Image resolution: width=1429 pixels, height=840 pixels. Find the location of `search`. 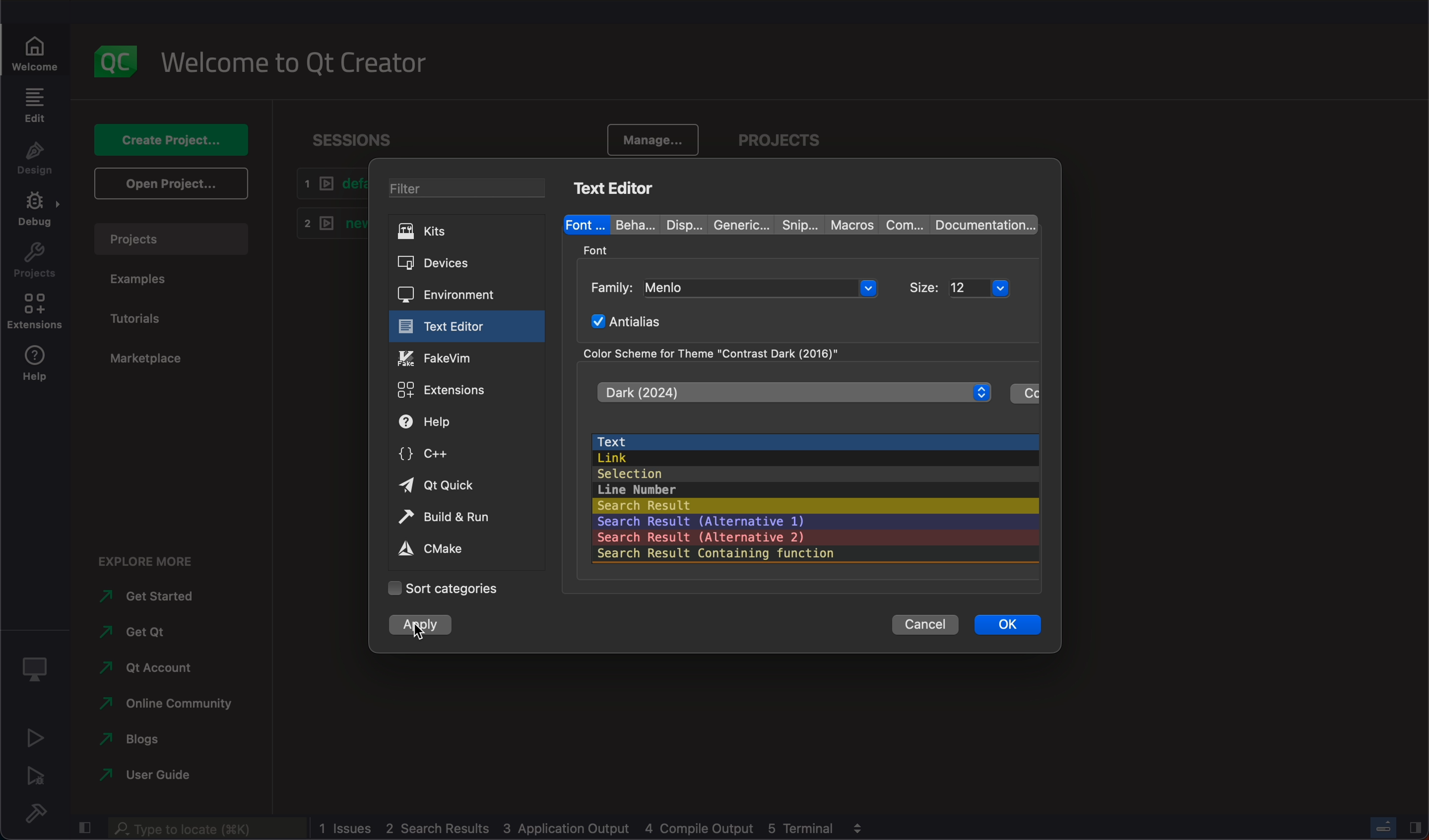

search is located at coordinates (206, 829).